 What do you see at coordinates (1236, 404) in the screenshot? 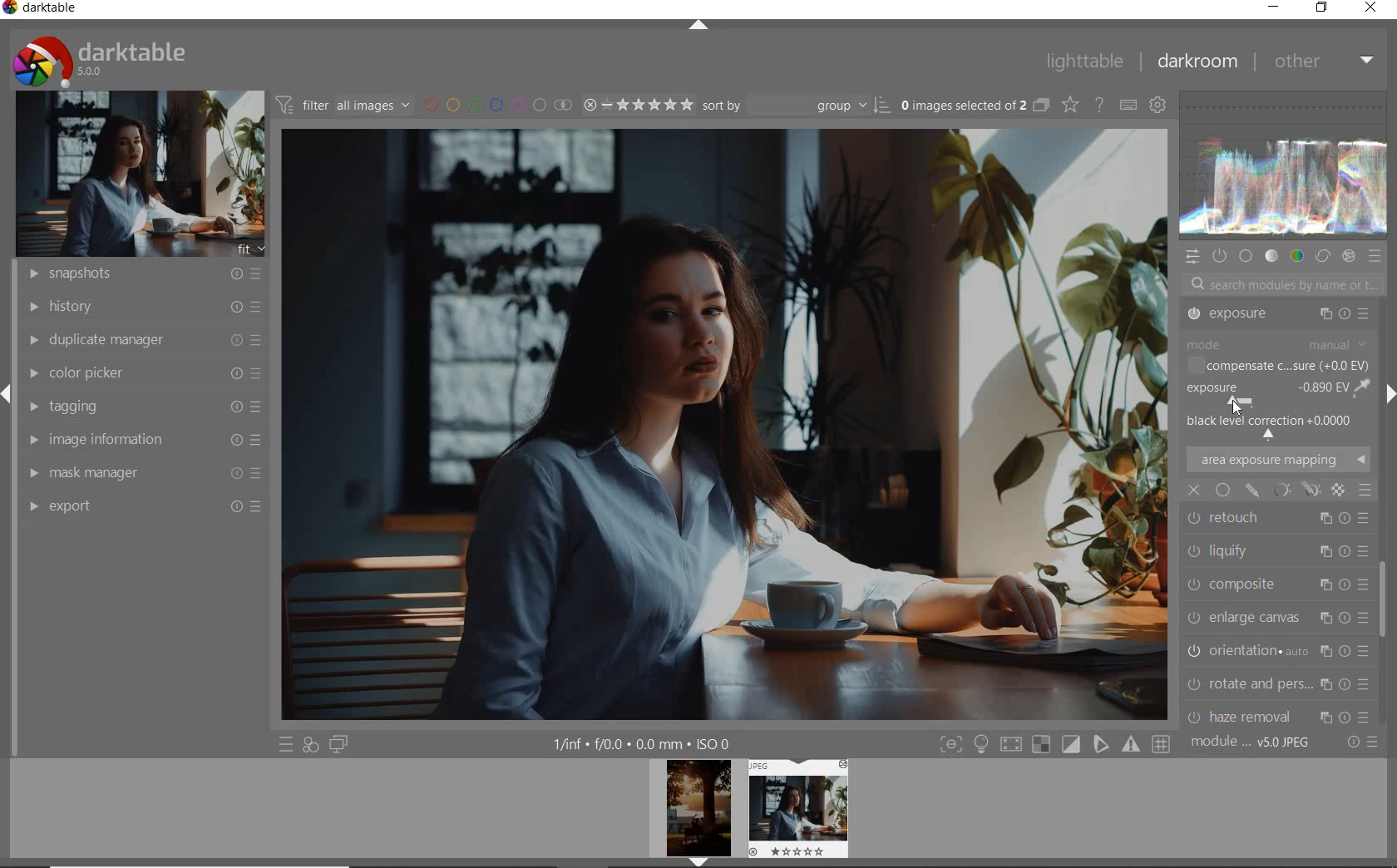
I see `CURSOR POSITION` at bounding box center [1236, 404].